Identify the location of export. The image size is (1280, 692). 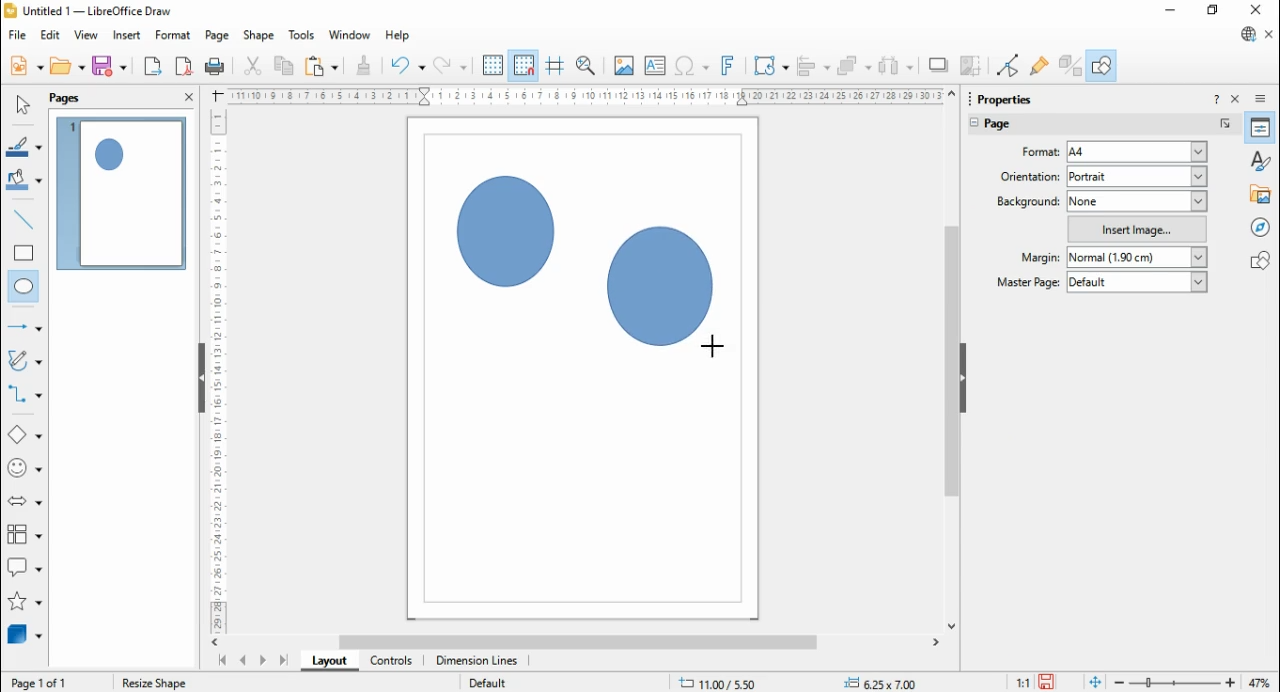
(152, 66).